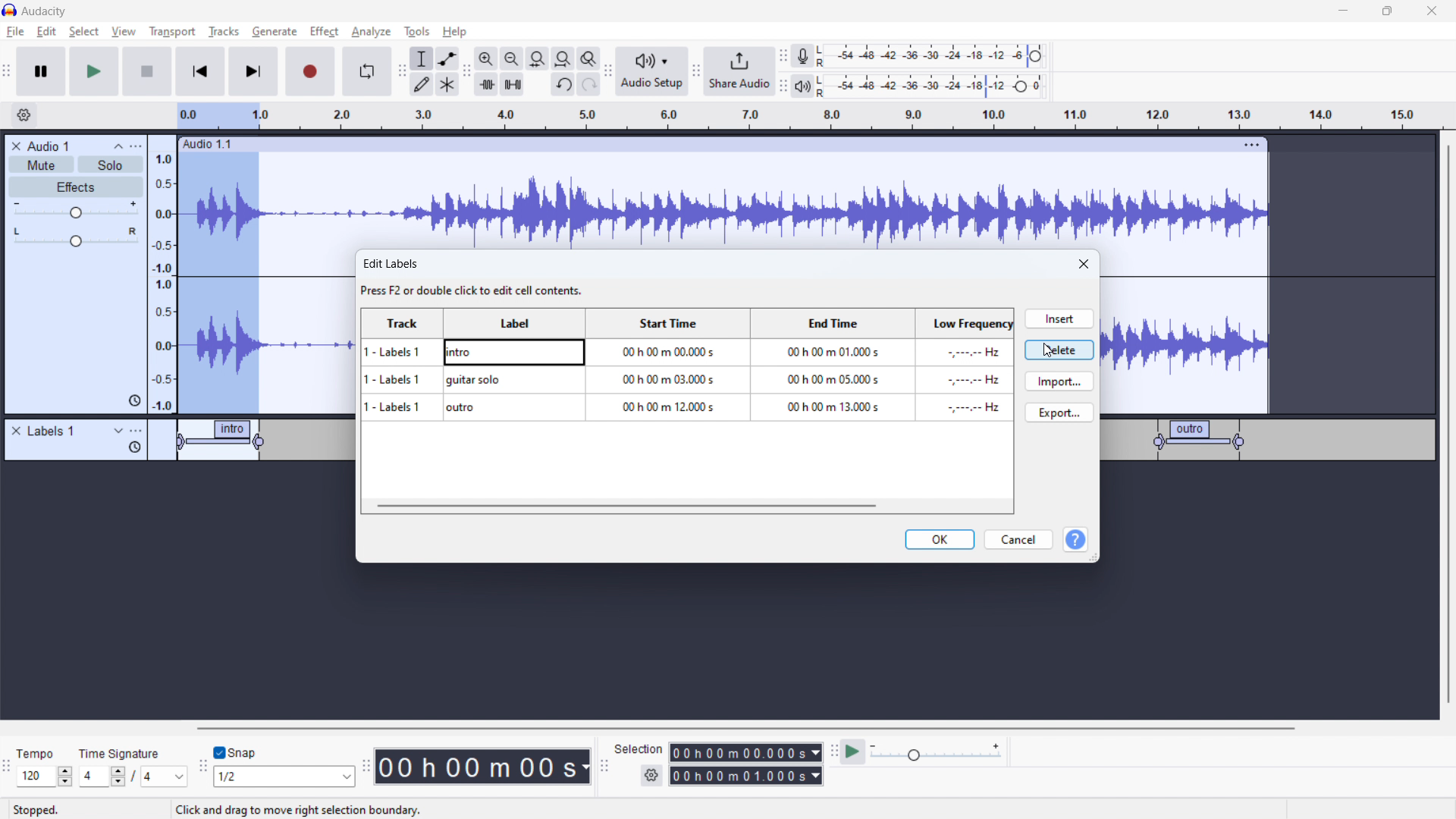 Image resolution: width=1456 pixels, height=819 pixels. I want to click on collapse, so click(118, 146).